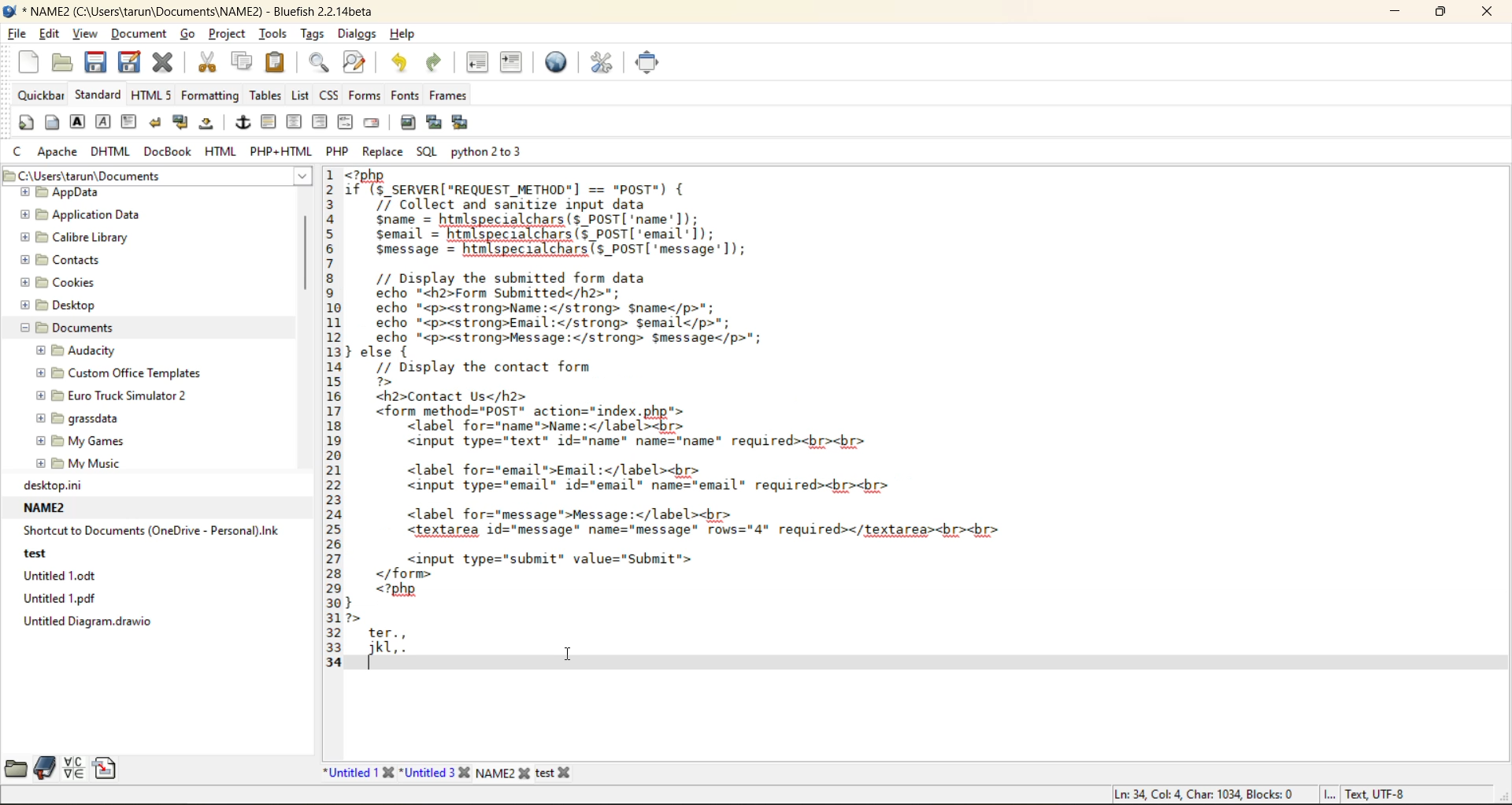 The width and height of the screenshot is (1512, 805). Describe the element at coordinates (274, 34) in the screenshot. I see `tools` at that location.